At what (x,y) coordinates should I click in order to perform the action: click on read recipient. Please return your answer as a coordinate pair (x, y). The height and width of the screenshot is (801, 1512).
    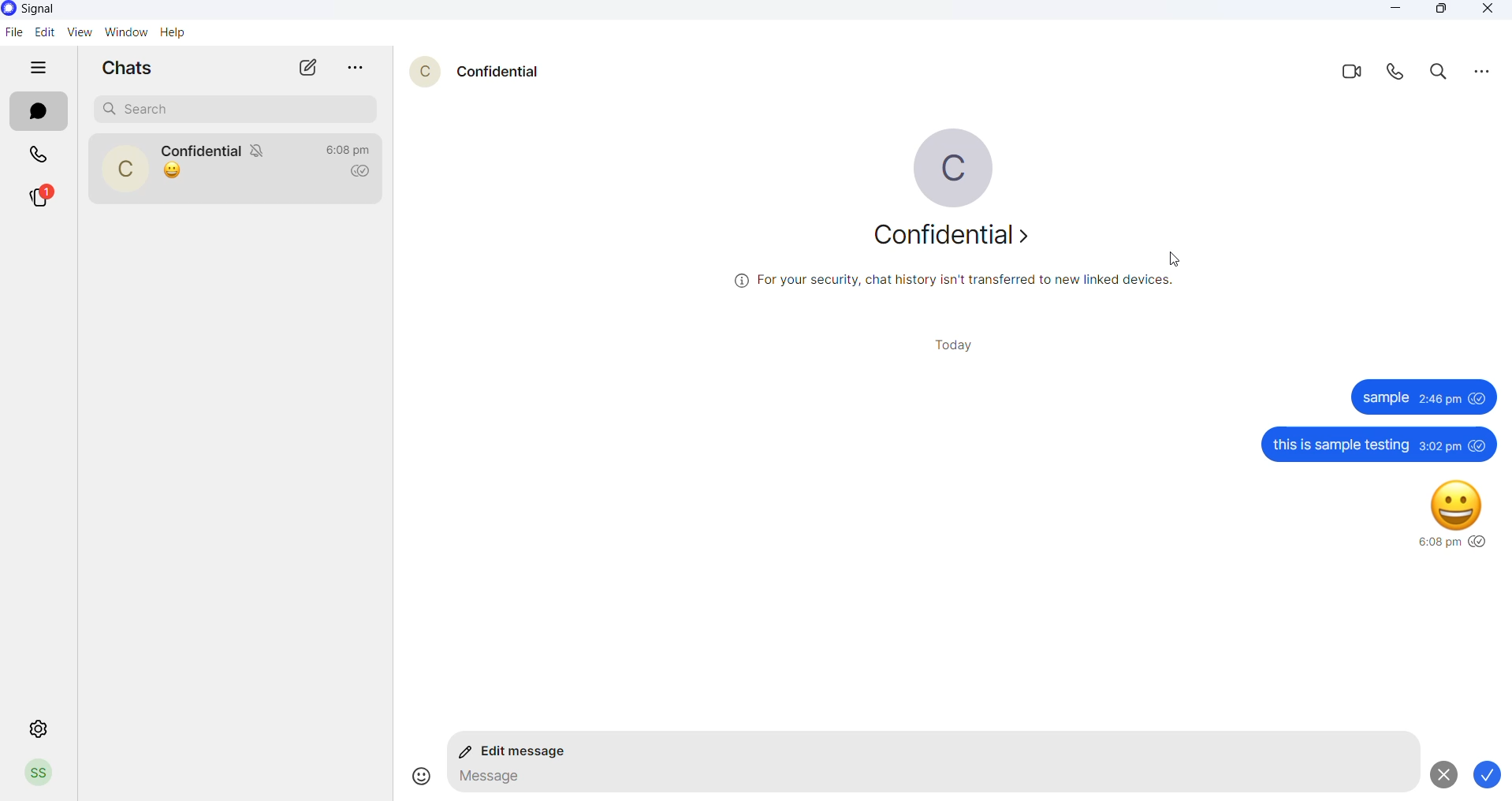
    Looking at the image, I should click on (364, 172).